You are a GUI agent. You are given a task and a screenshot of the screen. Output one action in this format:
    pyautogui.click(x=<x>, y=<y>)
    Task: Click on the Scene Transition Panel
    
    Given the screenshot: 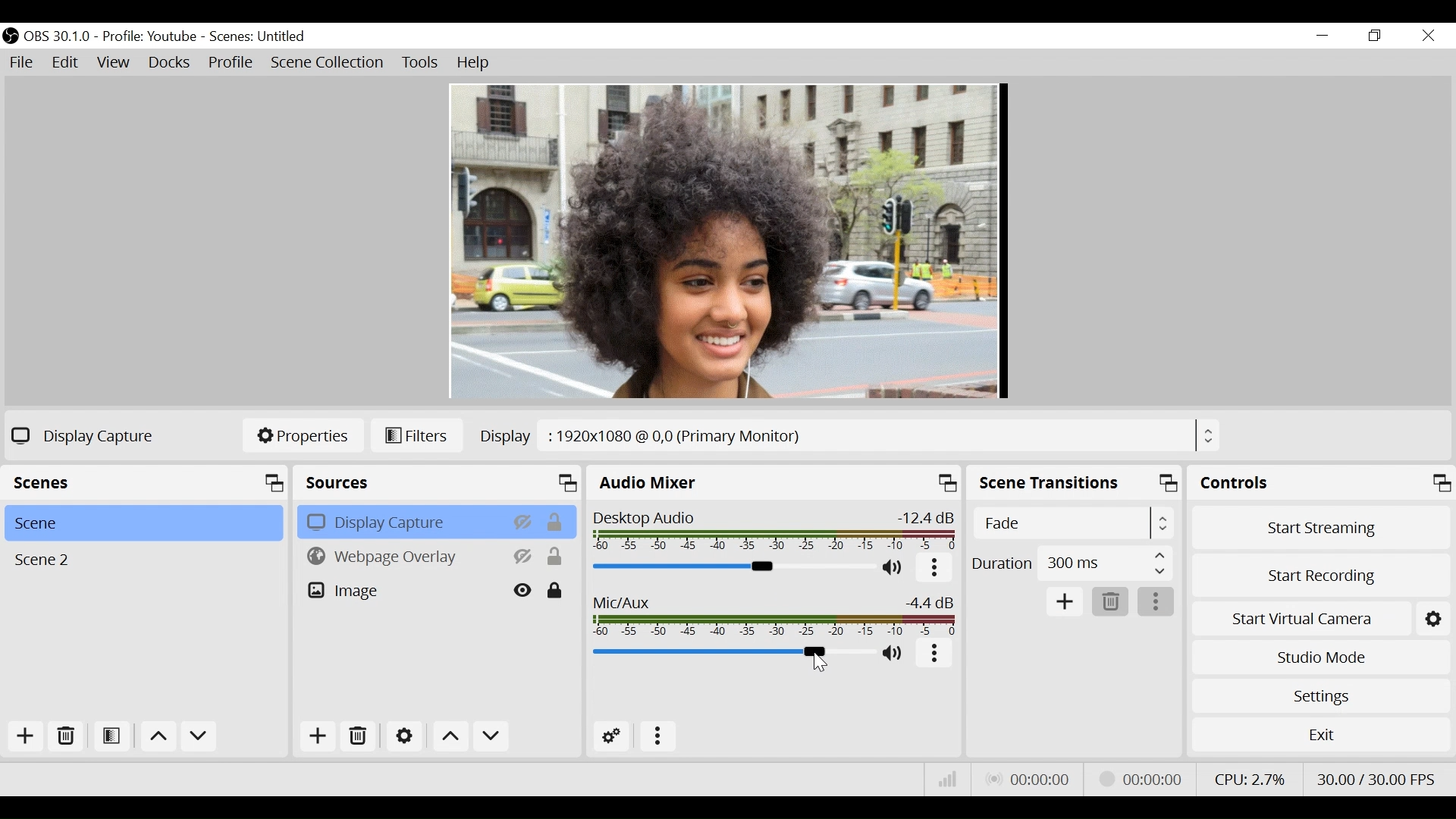 What is the action you would take?
    pyautogui.click(x=1075, y=482)
    